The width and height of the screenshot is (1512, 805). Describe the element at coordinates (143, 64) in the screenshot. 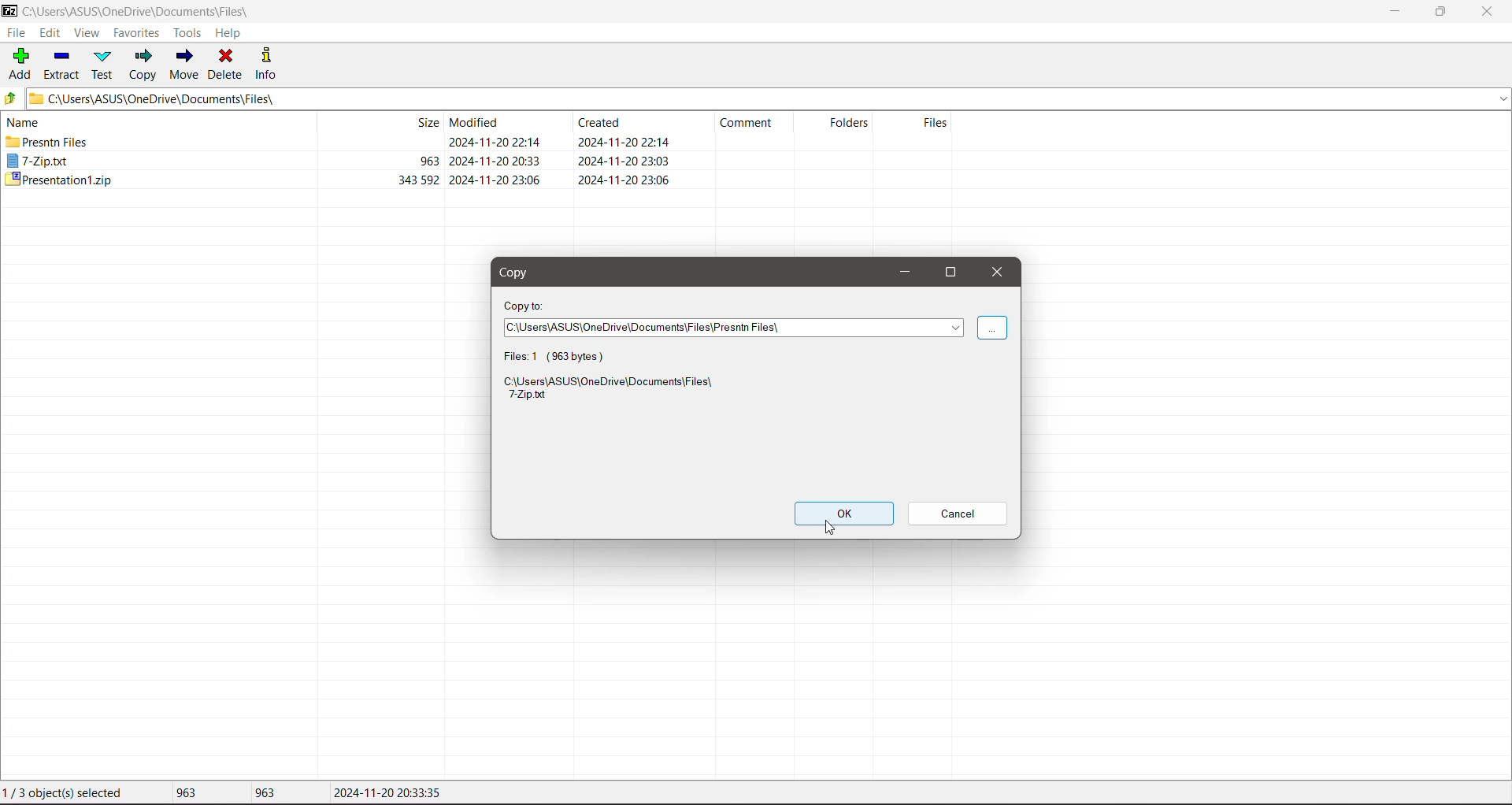

I see `Copy` at that location.